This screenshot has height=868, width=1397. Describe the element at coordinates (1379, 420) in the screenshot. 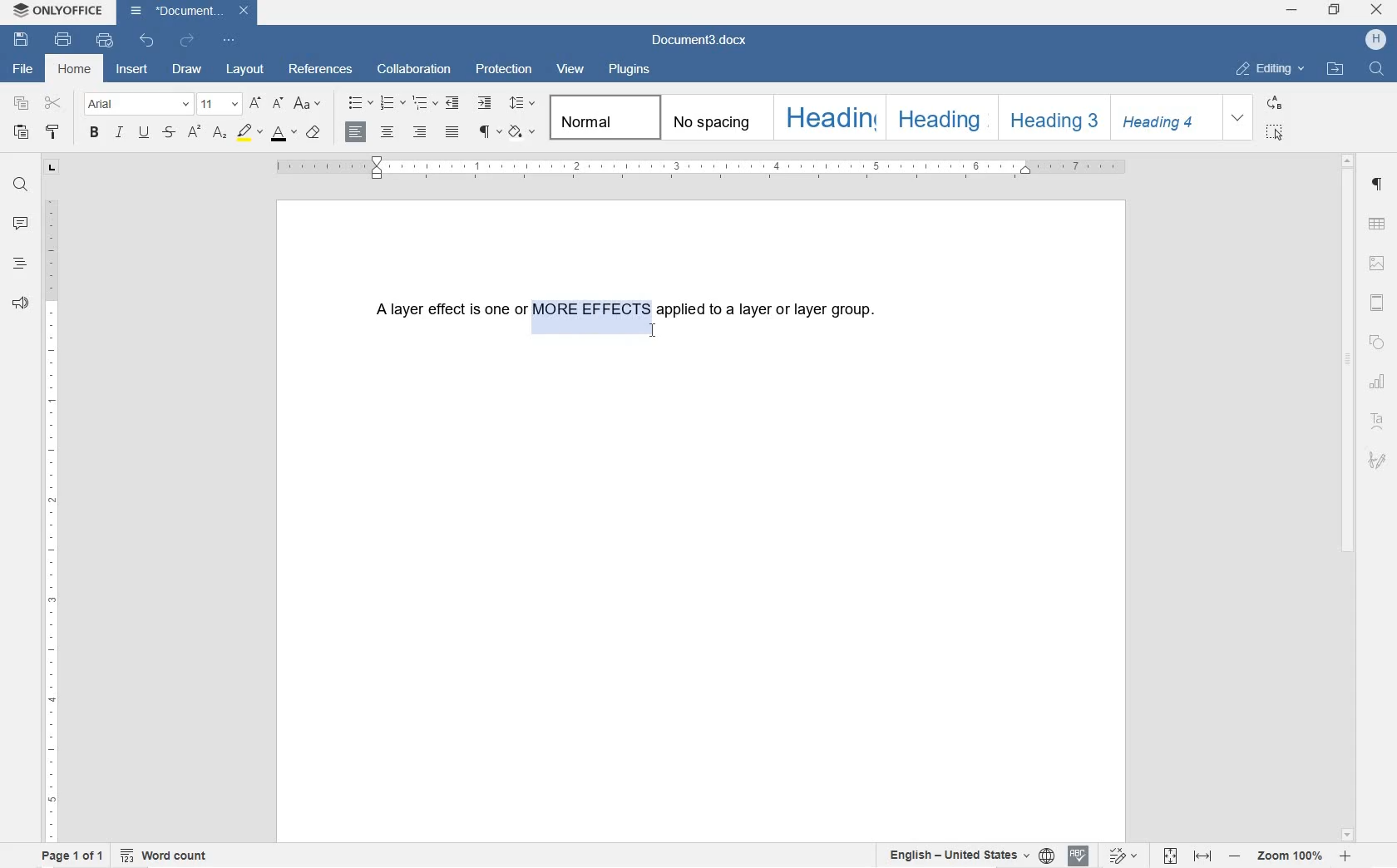

I see `TEXT ART` at that location.